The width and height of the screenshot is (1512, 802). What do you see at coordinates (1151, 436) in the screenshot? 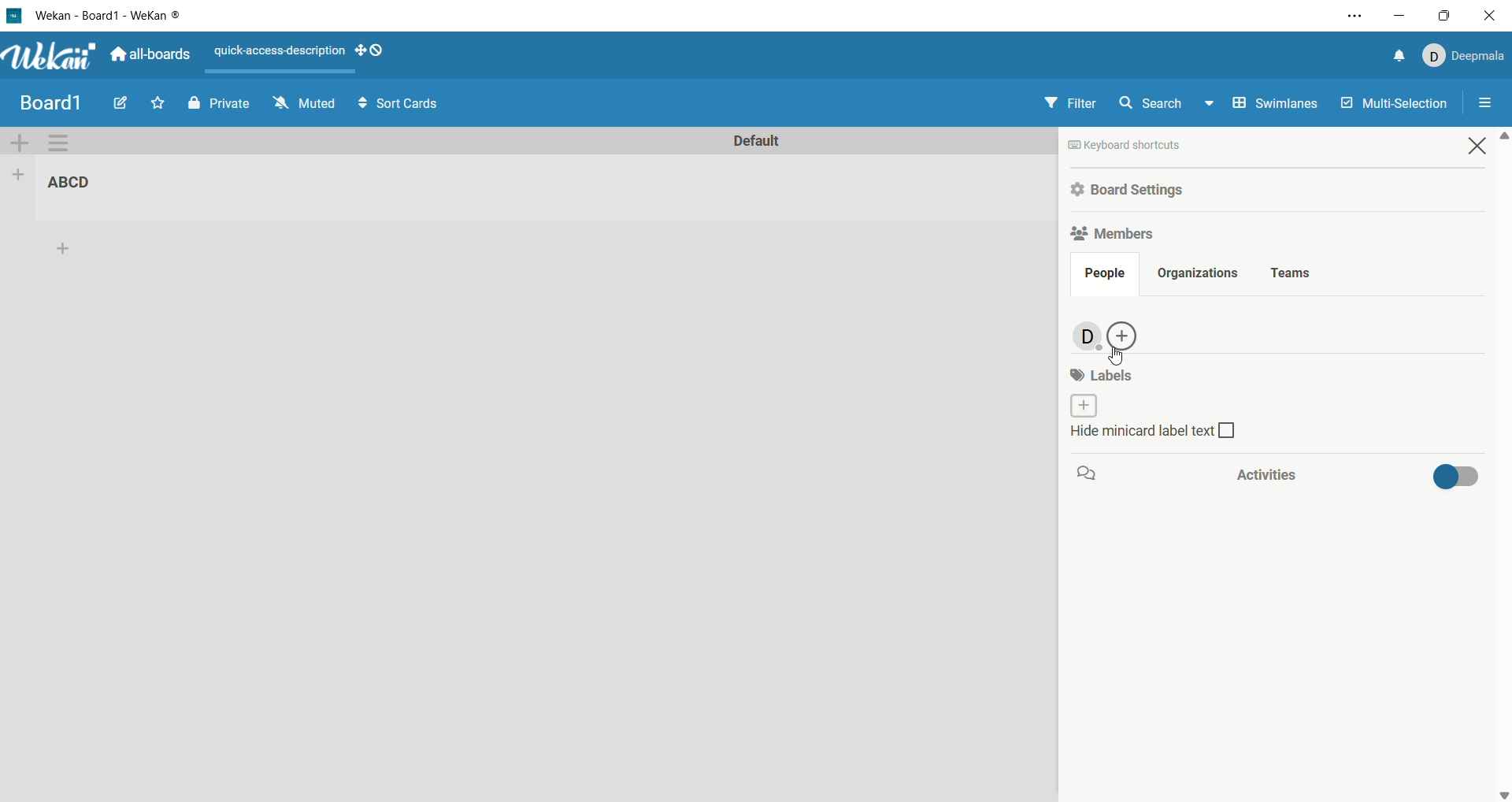
I see `hide minicard label` at bounding box center [1151, 436].